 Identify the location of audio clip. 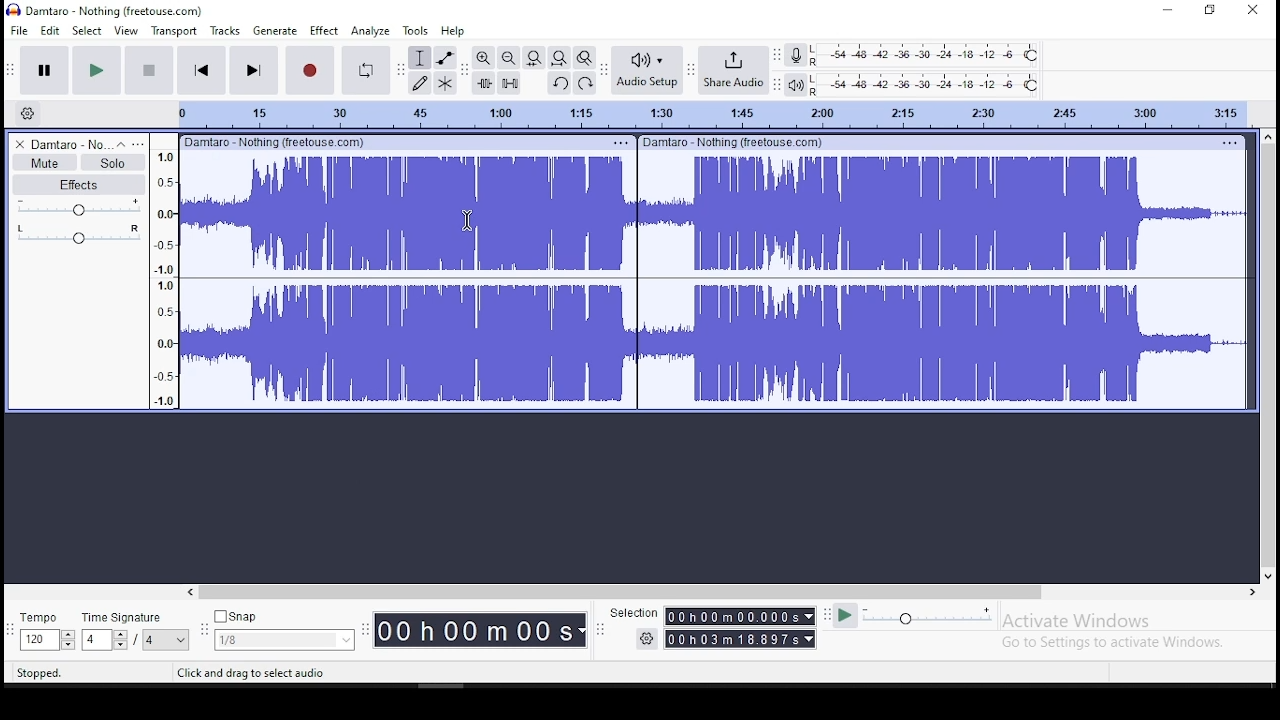
(406, 281).